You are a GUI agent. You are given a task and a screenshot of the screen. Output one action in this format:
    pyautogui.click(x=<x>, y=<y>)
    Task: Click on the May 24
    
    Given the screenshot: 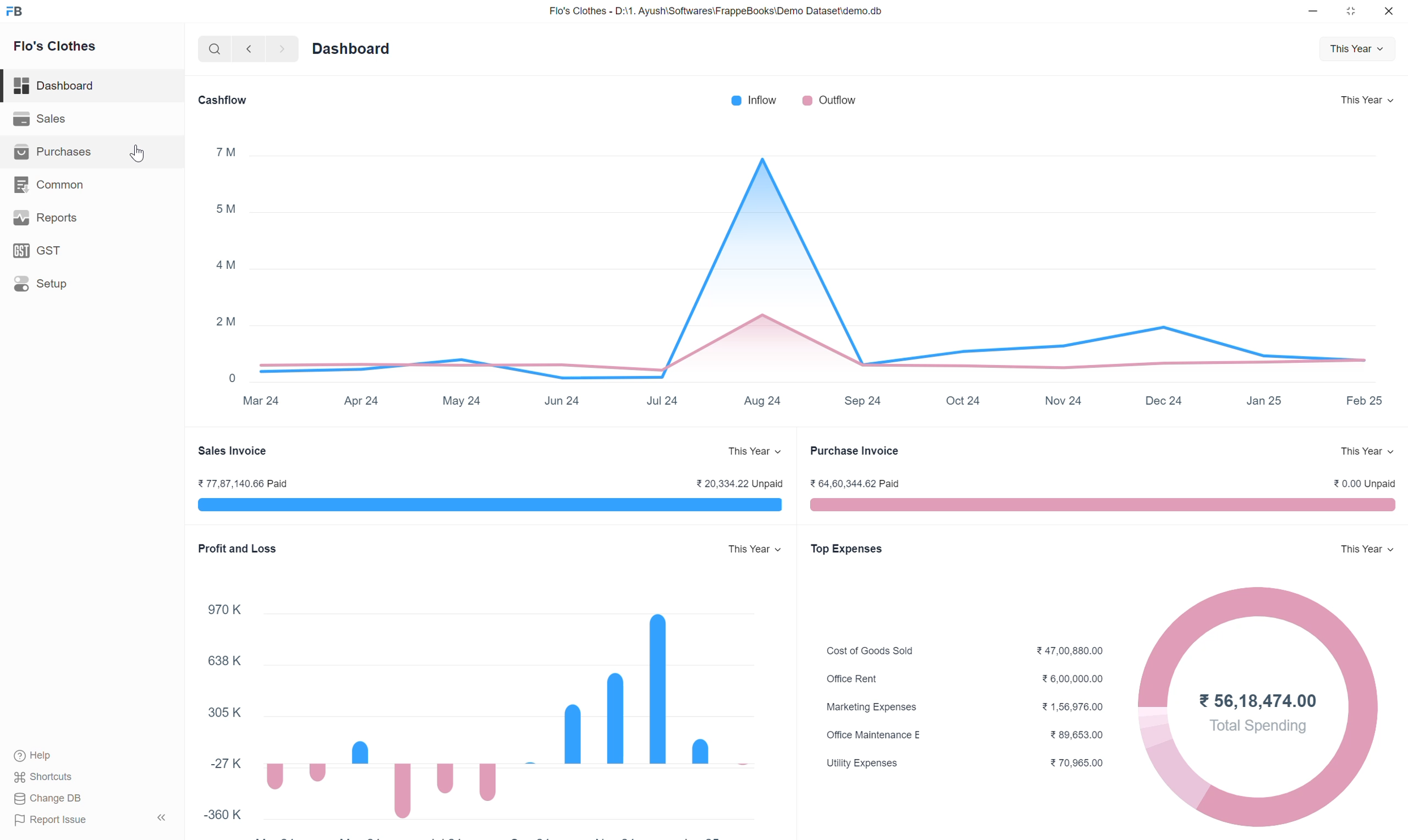 What is the action you would take?
    pyautogui.click(x=461, y=401)
    